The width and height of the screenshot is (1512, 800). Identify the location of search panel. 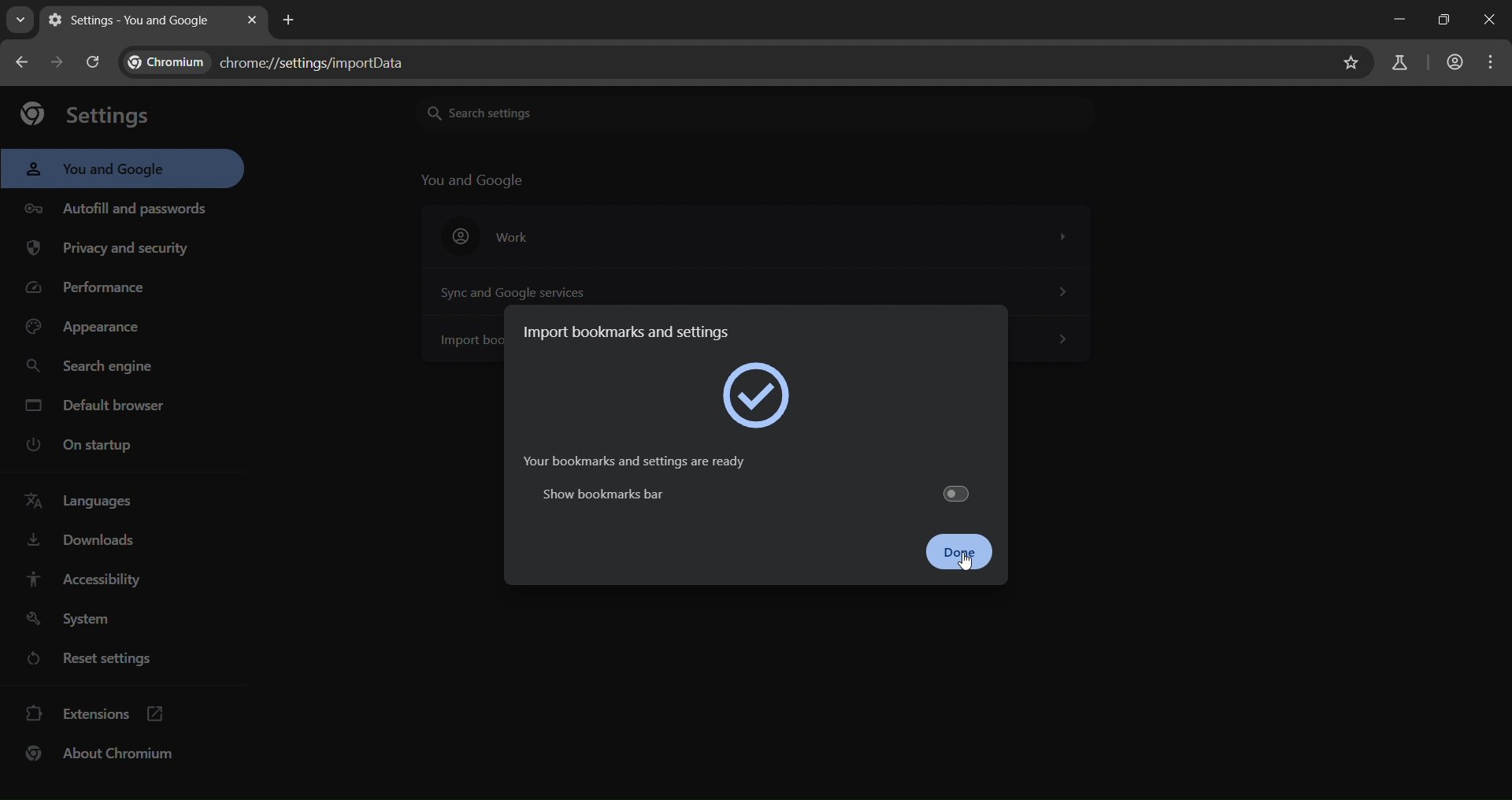
(274, 63).